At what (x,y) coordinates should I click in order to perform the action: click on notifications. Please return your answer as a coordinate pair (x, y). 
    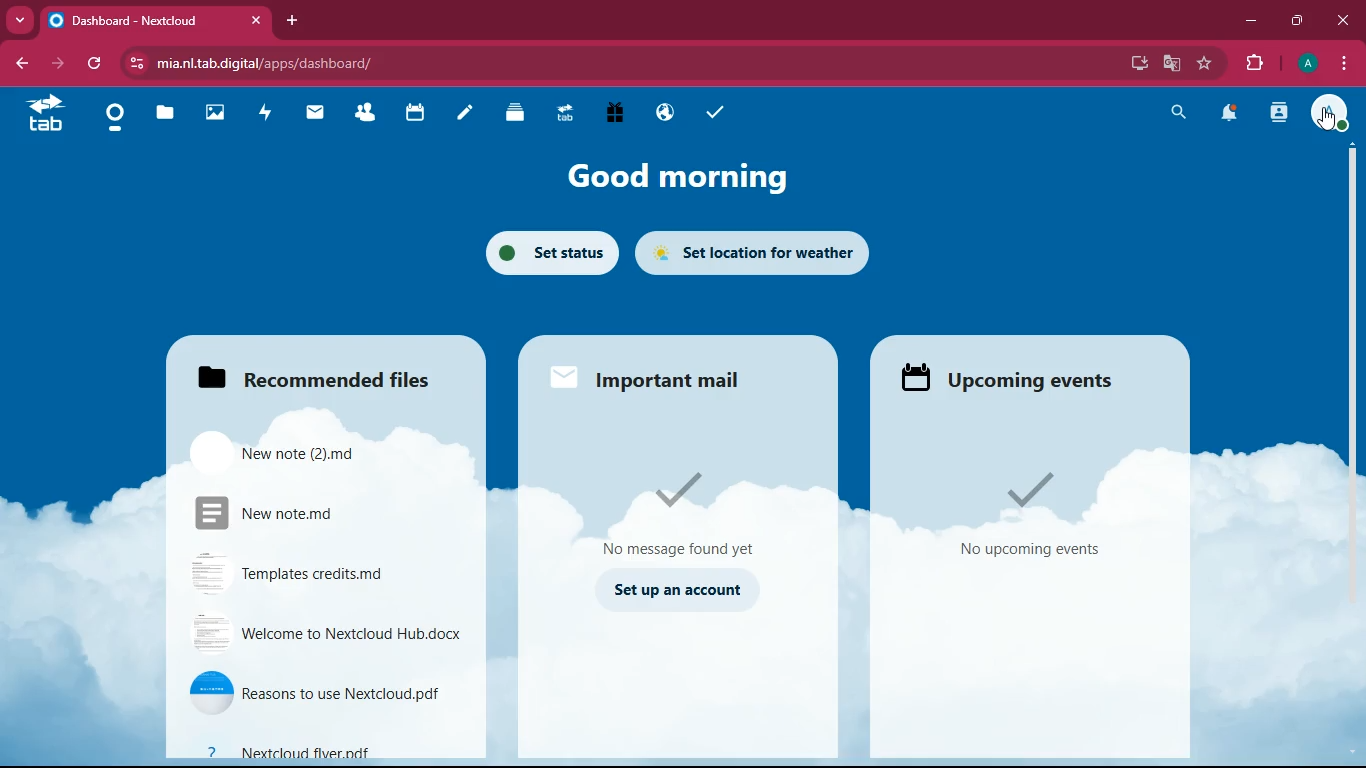
    Looking at the image, I should click on (1231, 115).